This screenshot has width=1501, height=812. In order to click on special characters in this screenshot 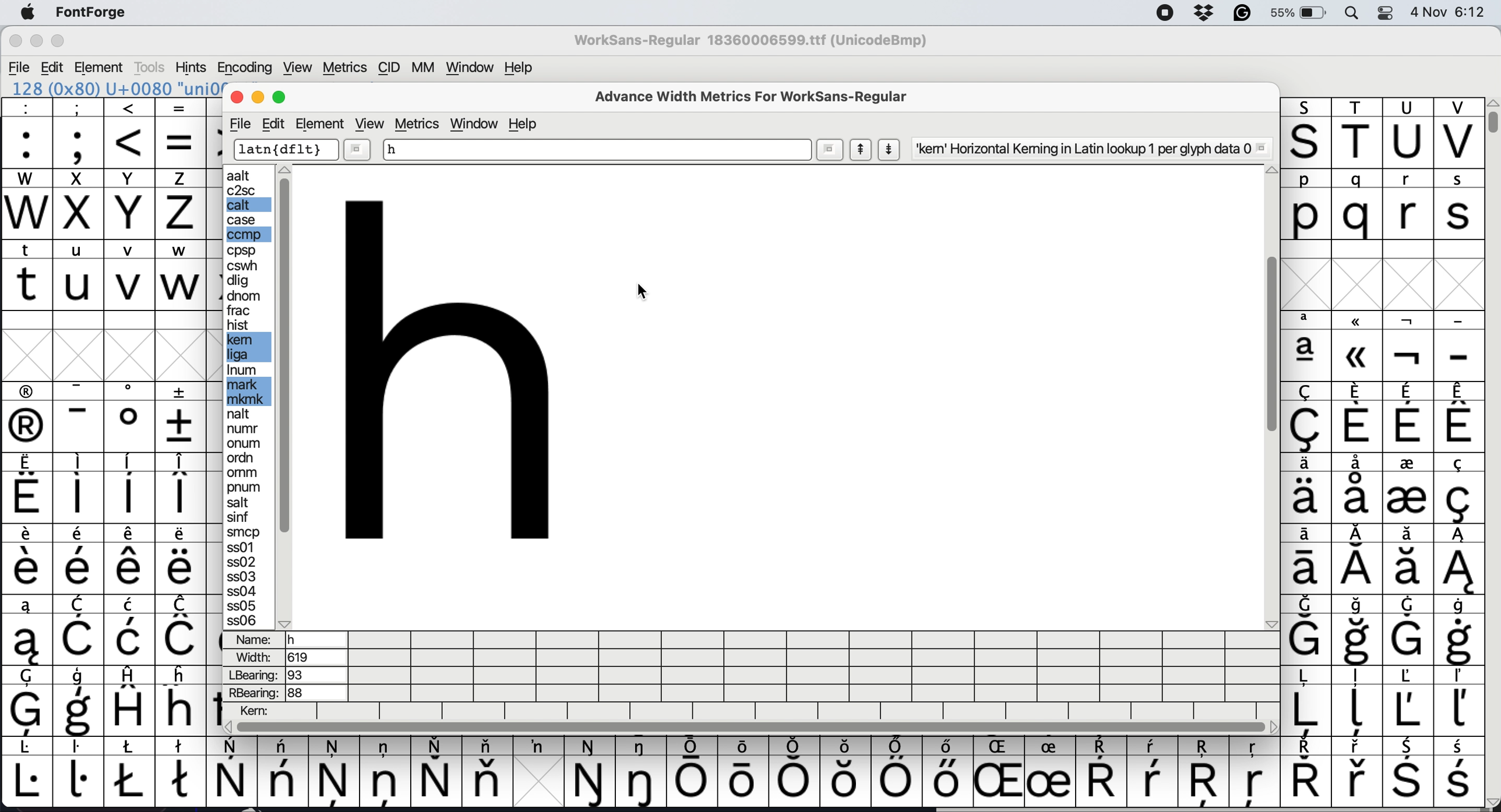, I will do `click(106, 677)`.